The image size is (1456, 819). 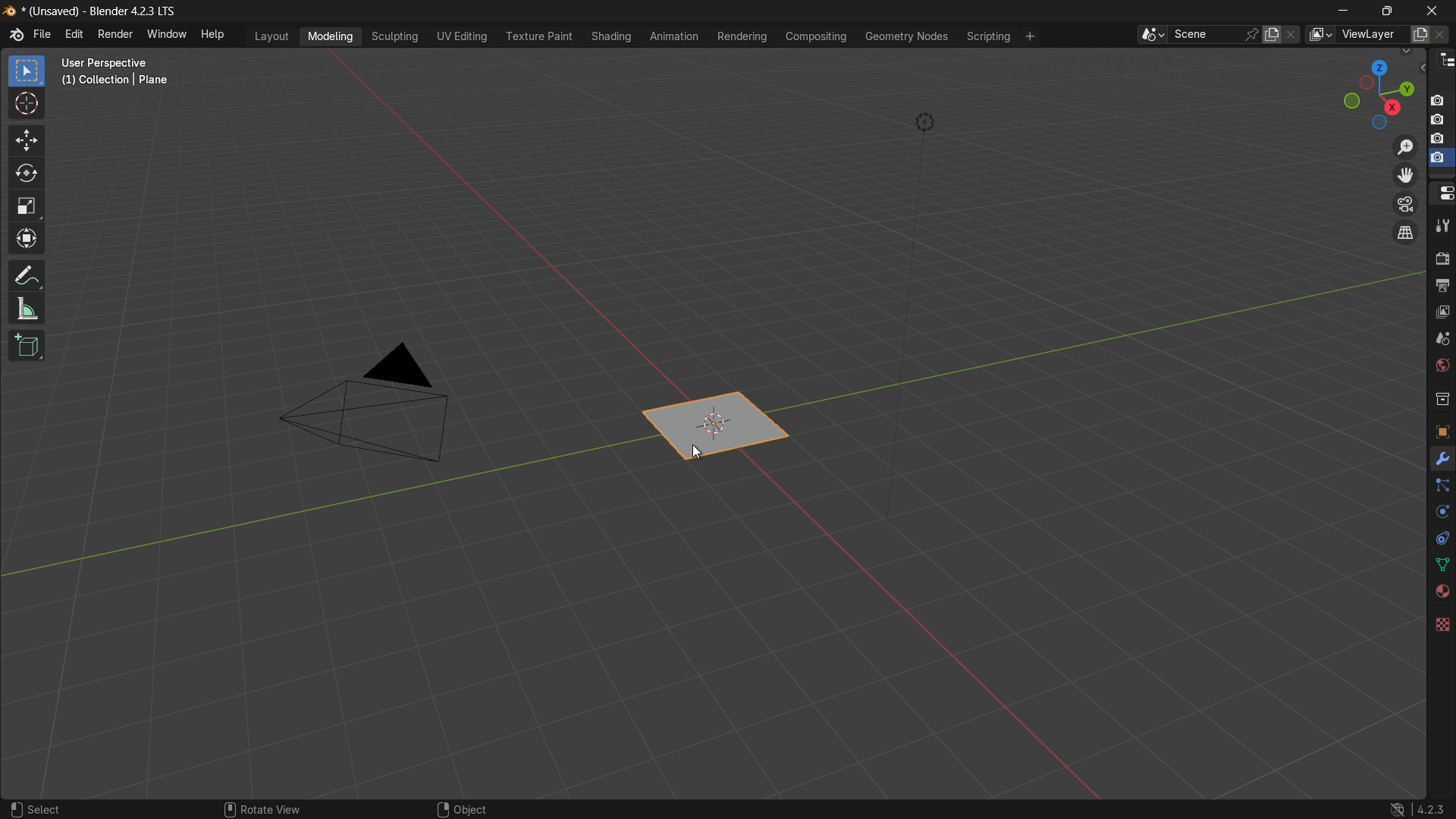 What do you see at coordinates (742, 36) in the screenshot?
I see `rendering` at bounding box center [742, 36].